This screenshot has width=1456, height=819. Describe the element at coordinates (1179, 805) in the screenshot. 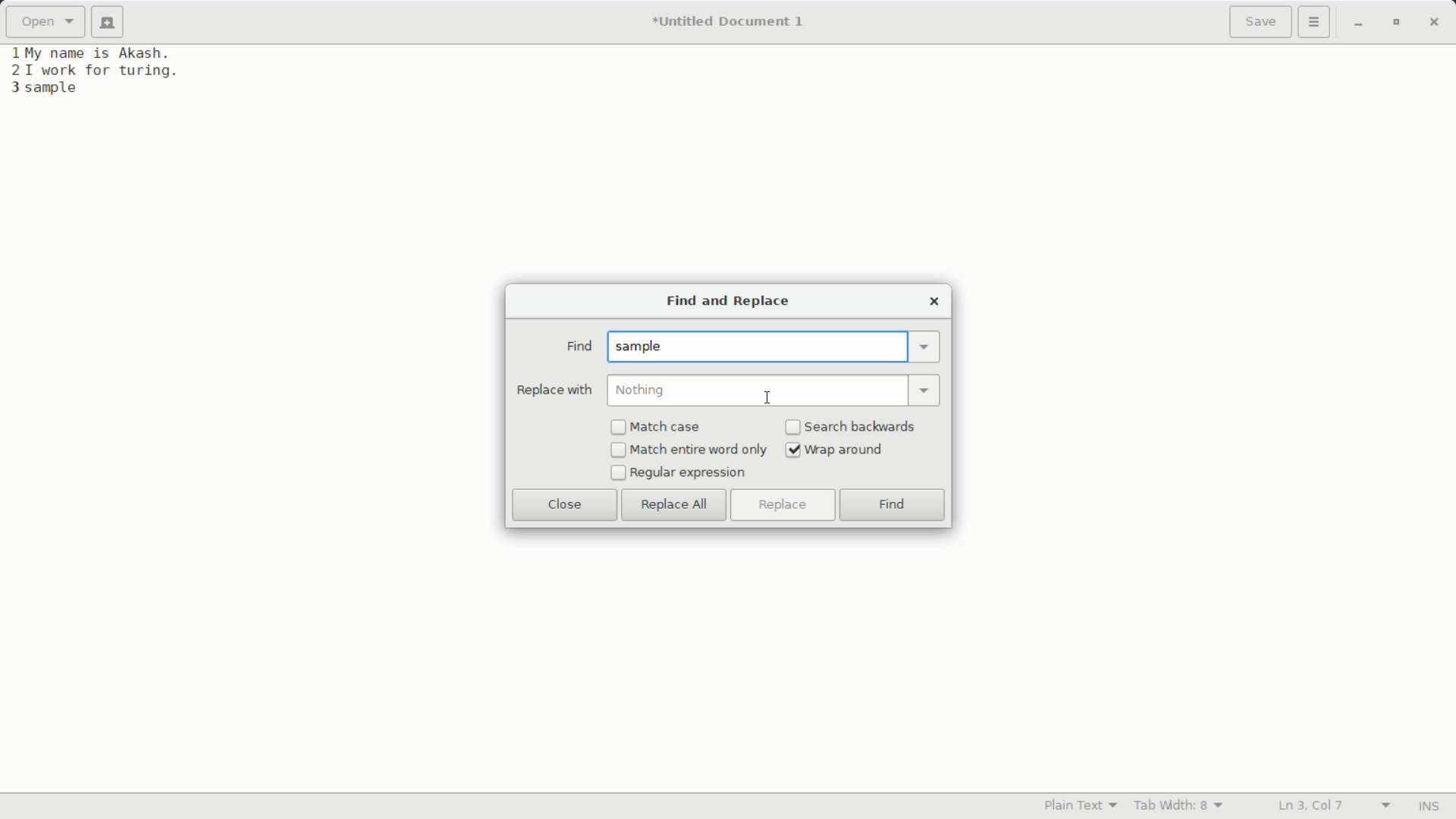

I see `tab width` at that location.